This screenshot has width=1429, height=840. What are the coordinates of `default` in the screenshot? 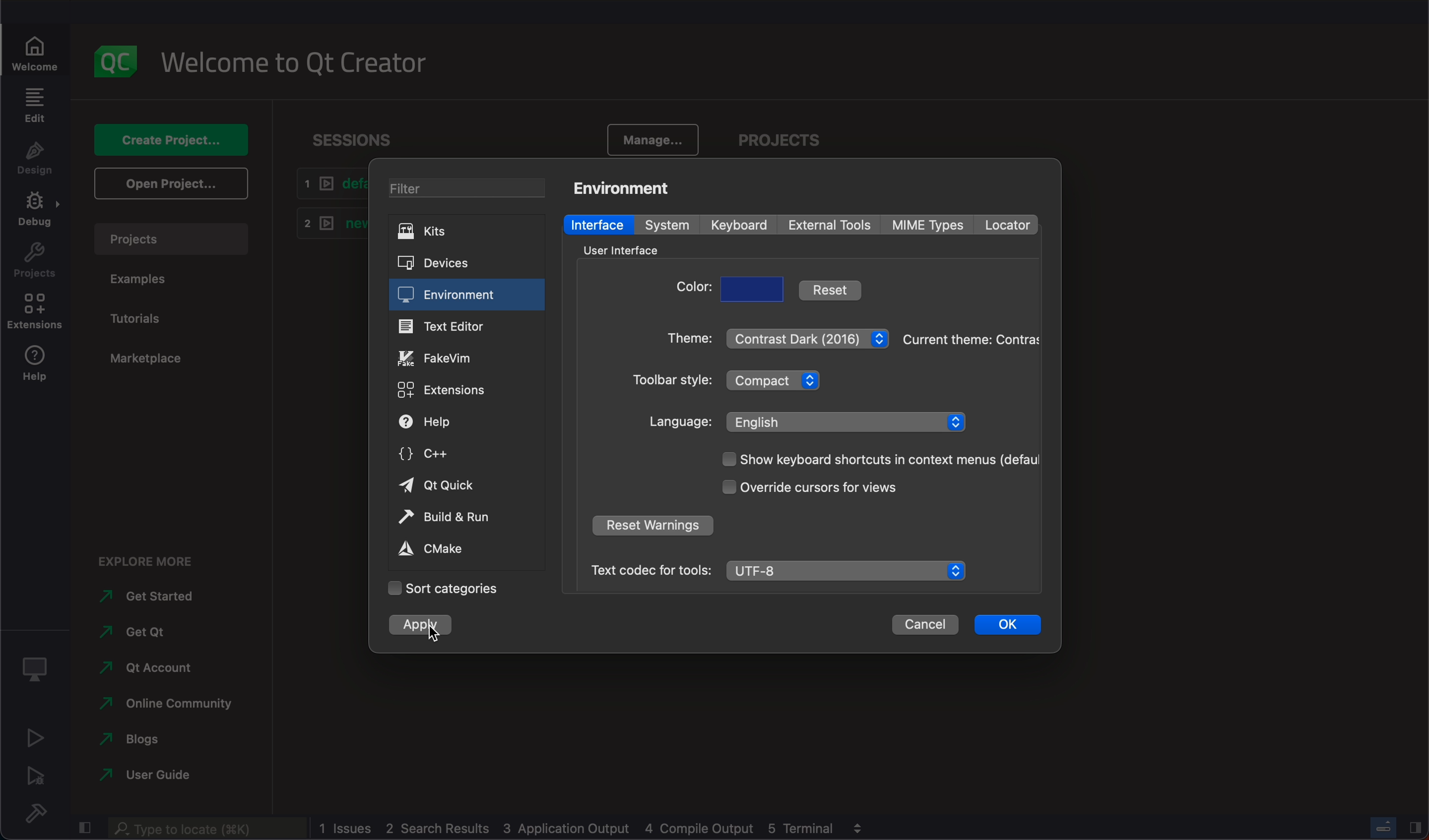 It's located at (326, 186).